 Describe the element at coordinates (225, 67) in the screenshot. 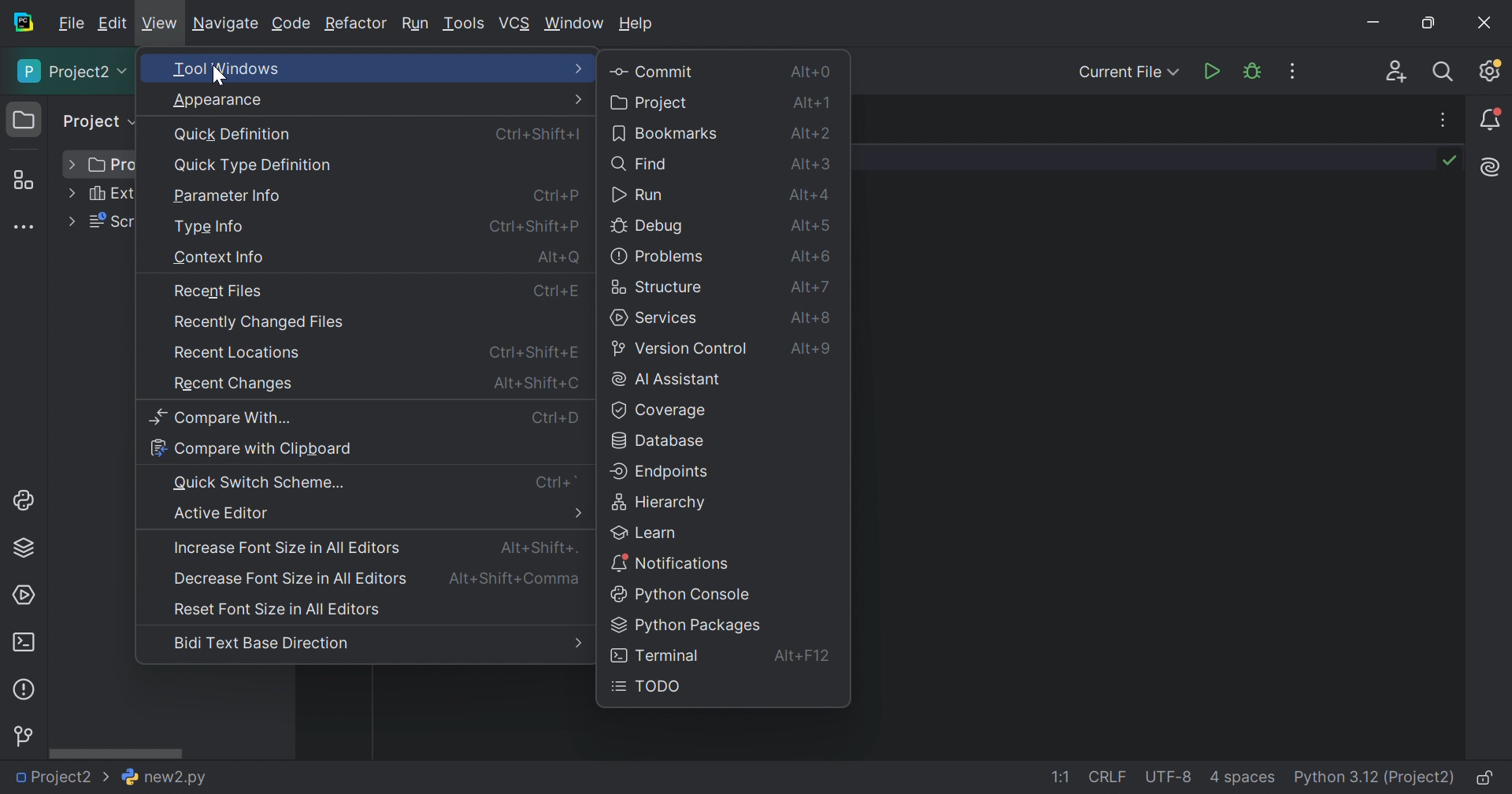

I see `Tool windows` at that location.